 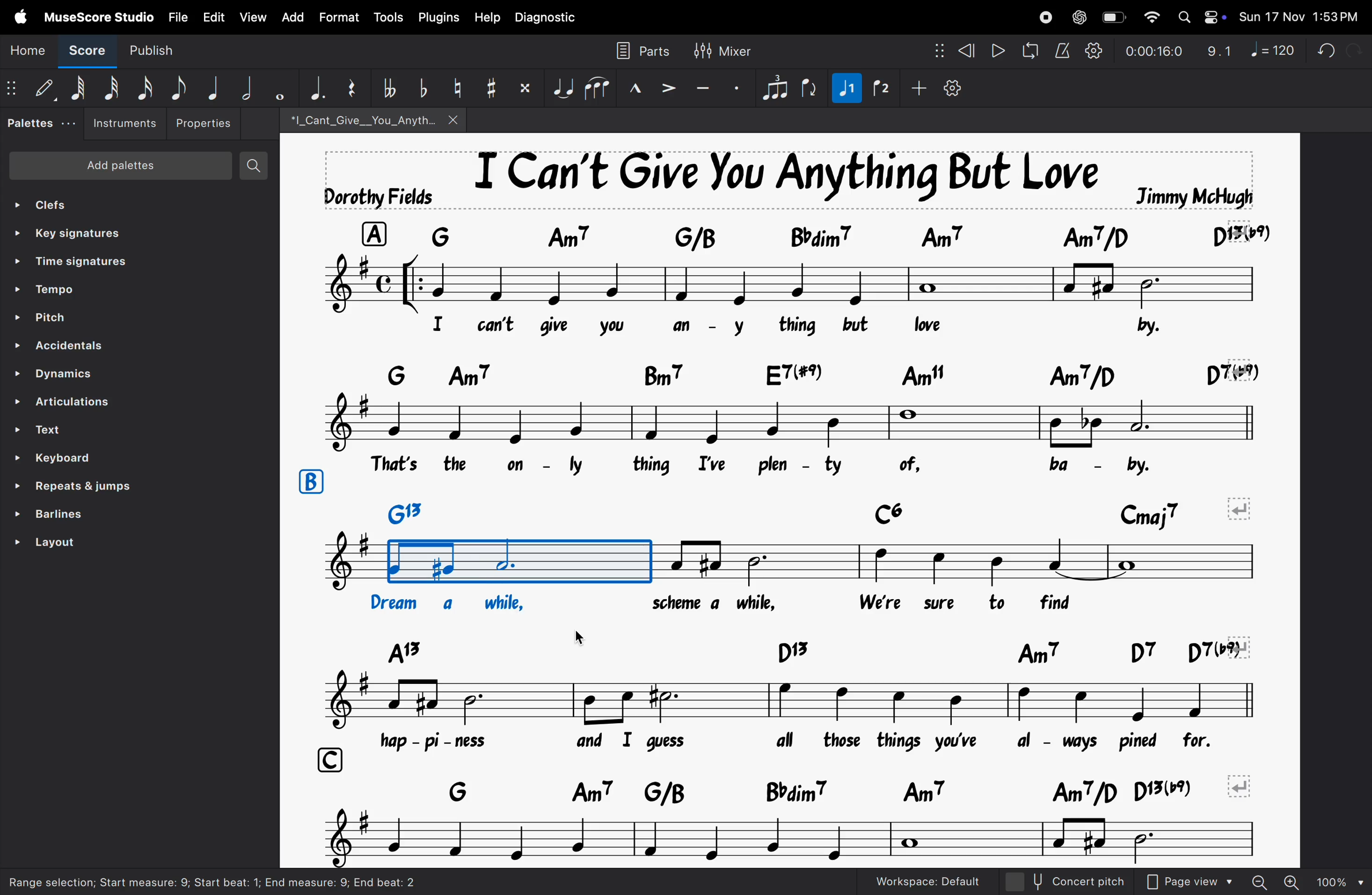 What do you see at coordinates (1154, 51) in the screenshot?
I see `playback time` at bounding box center [1154, 51].